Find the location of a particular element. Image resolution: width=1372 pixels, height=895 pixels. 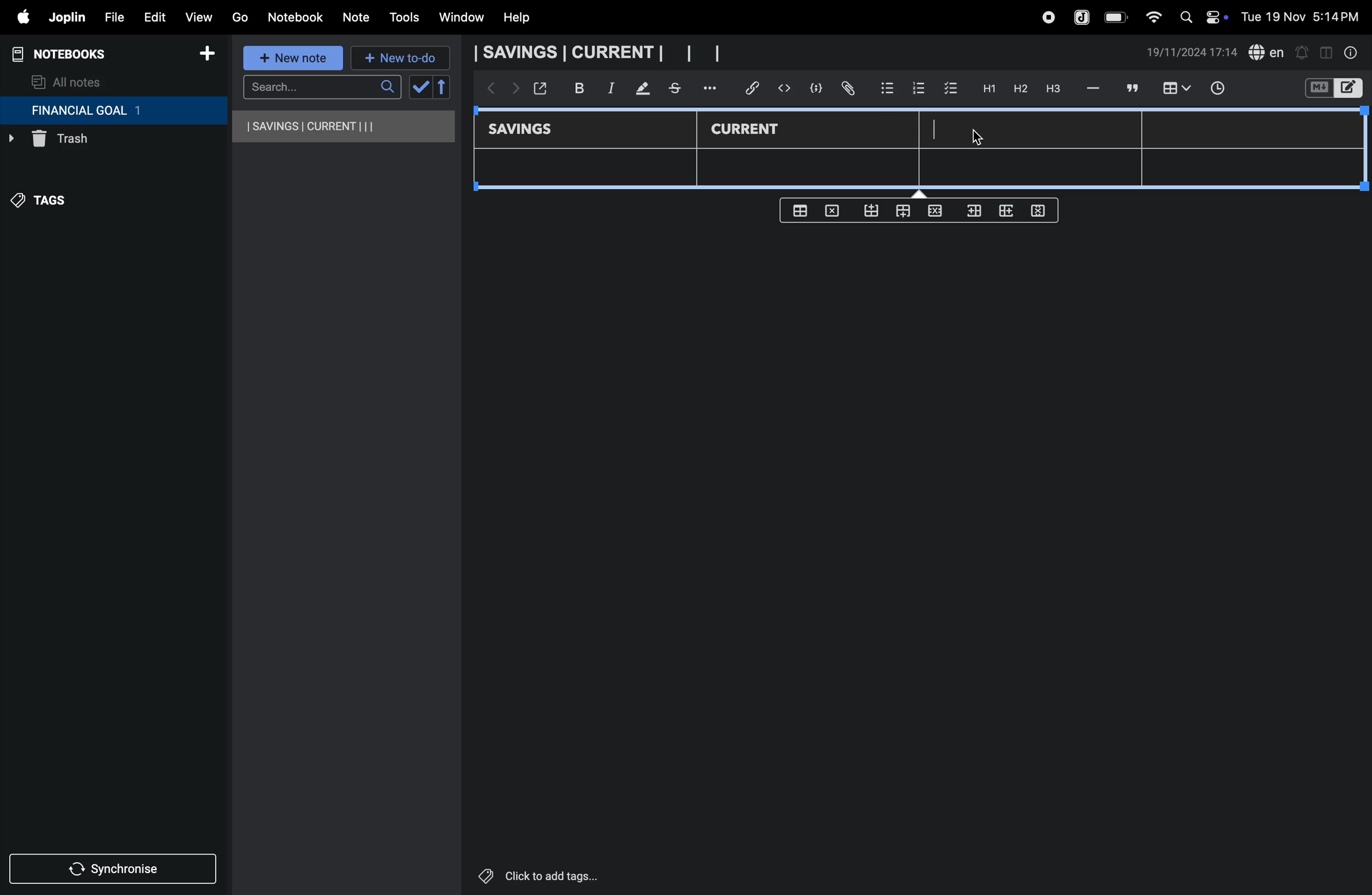

cursor is located at coordinates (939, 131).